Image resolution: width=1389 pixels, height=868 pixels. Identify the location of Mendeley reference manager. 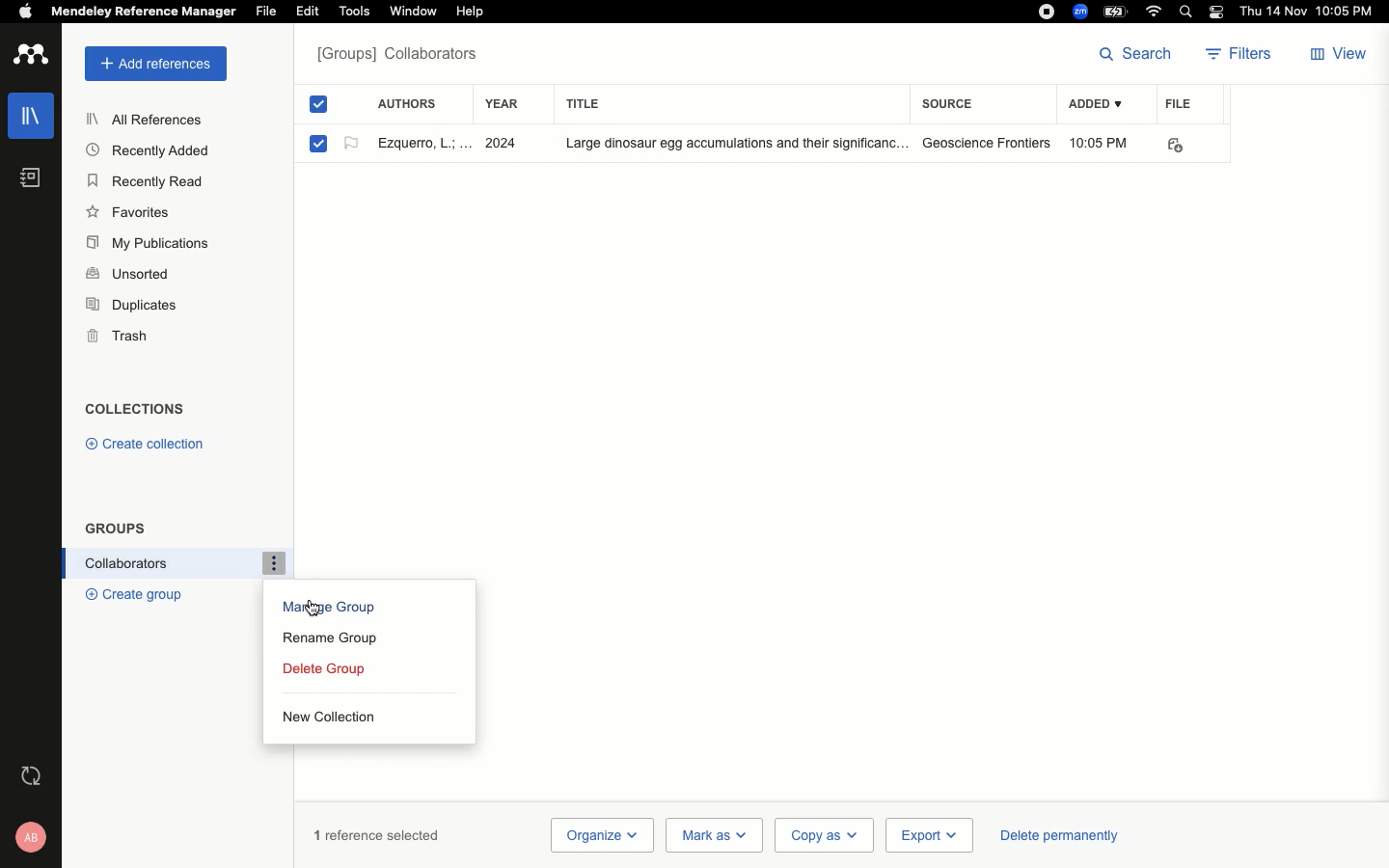
(145, 12).